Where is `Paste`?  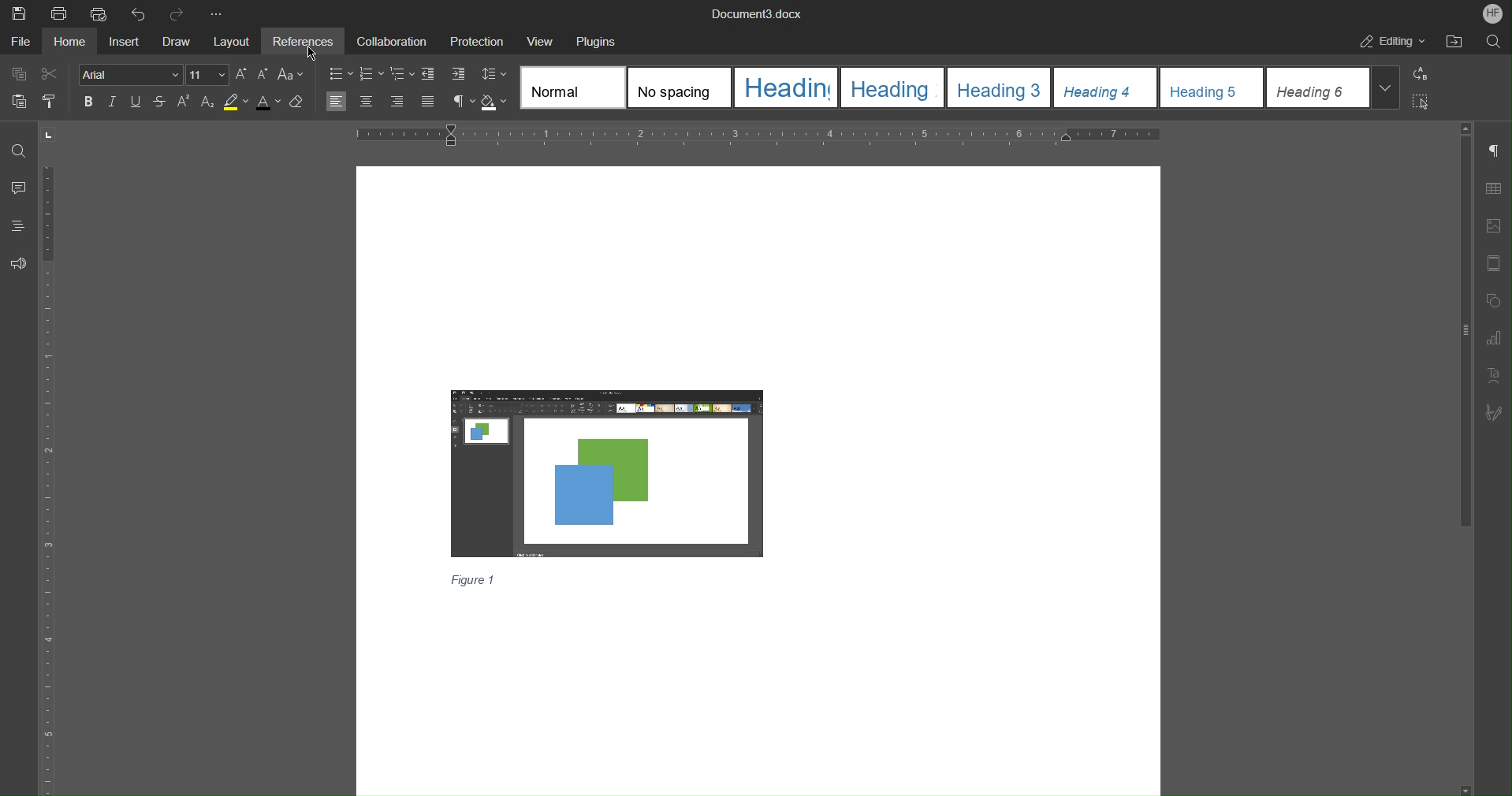
Paste is located at coordinates (15, 101).